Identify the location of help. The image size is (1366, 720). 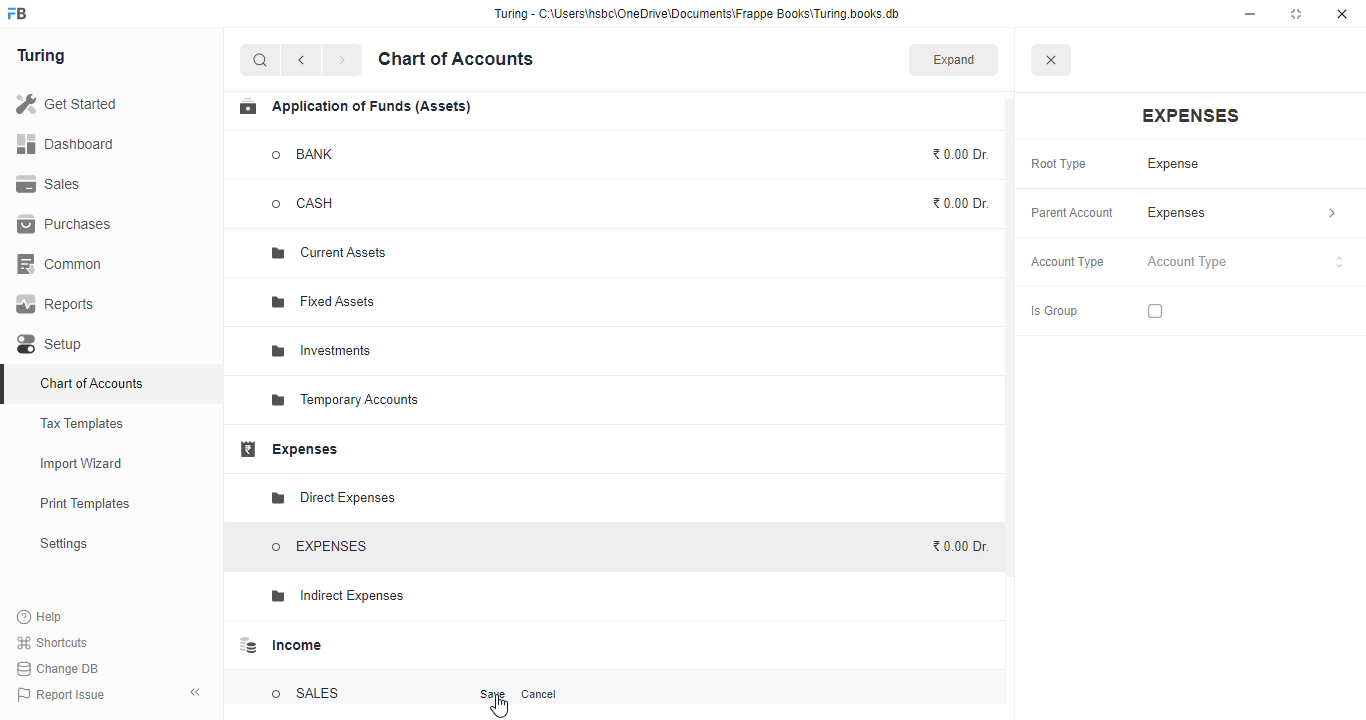
(40, 616).